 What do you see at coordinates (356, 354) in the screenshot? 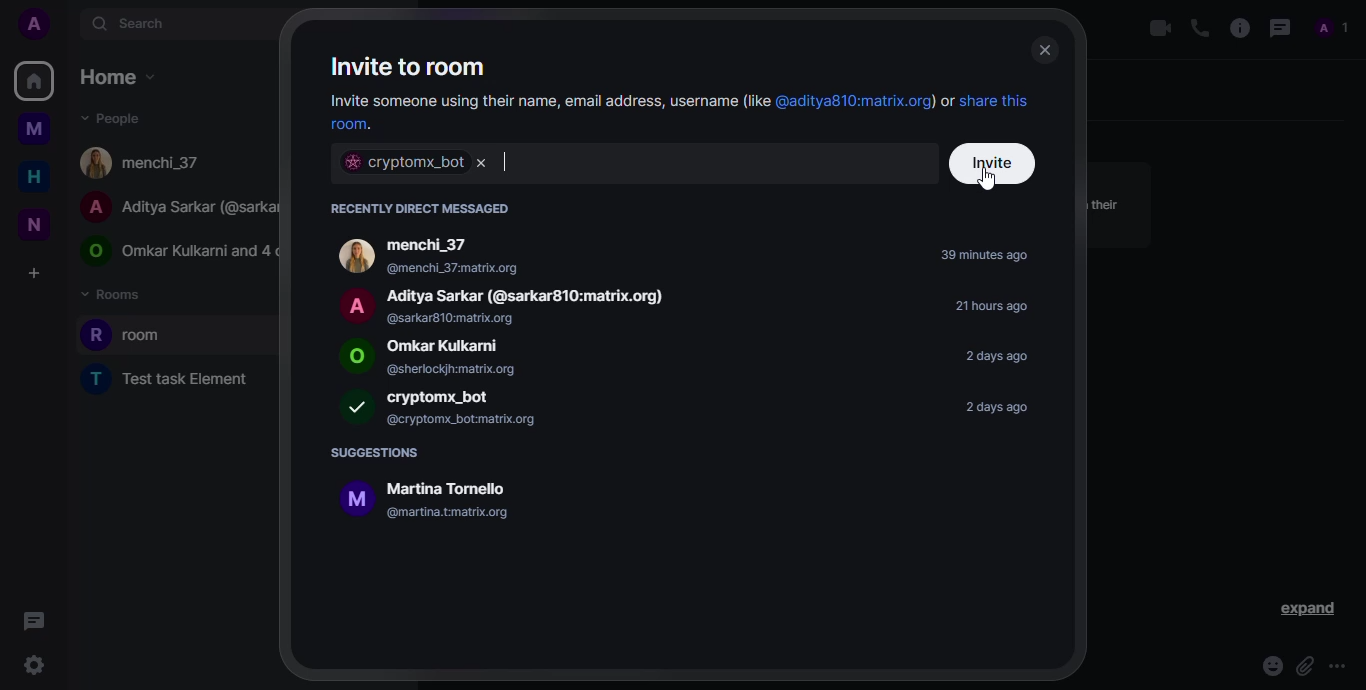
I see `logo` at bounding box center [356, 354].